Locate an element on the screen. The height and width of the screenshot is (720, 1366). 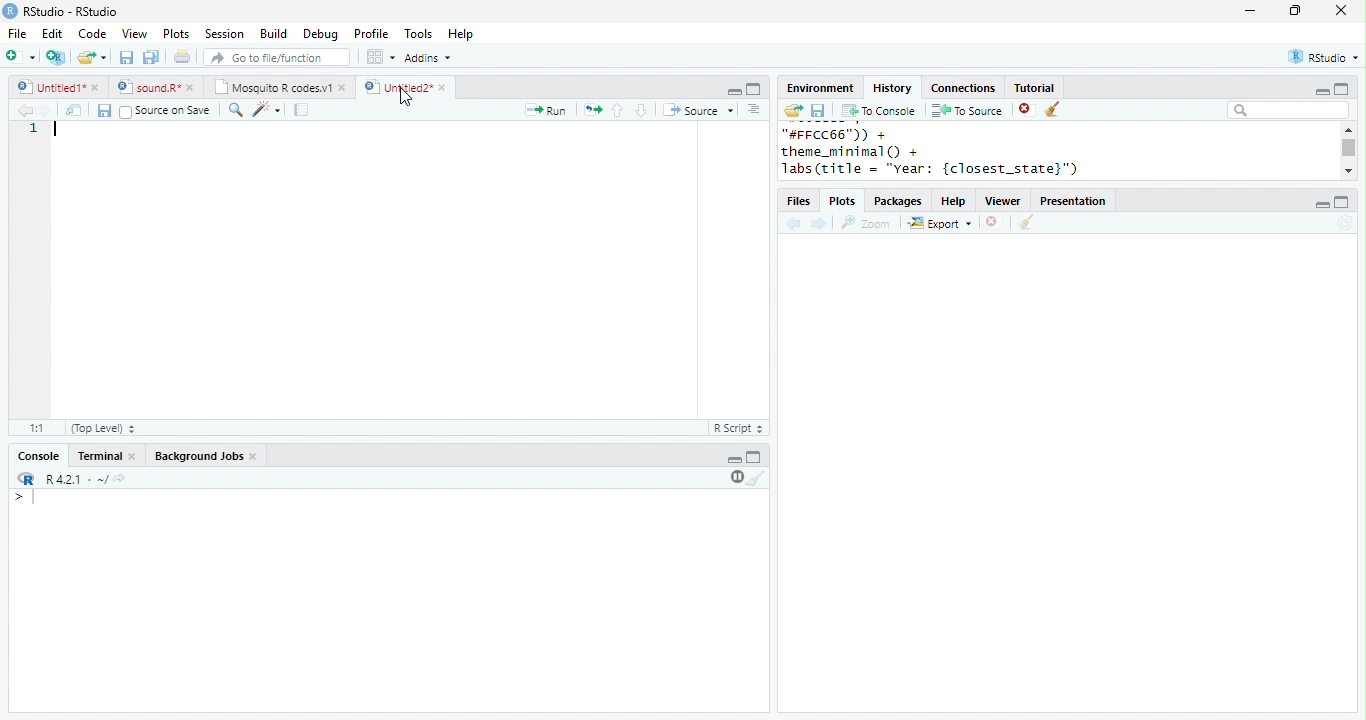
pause is located at coordinates (735, 478).